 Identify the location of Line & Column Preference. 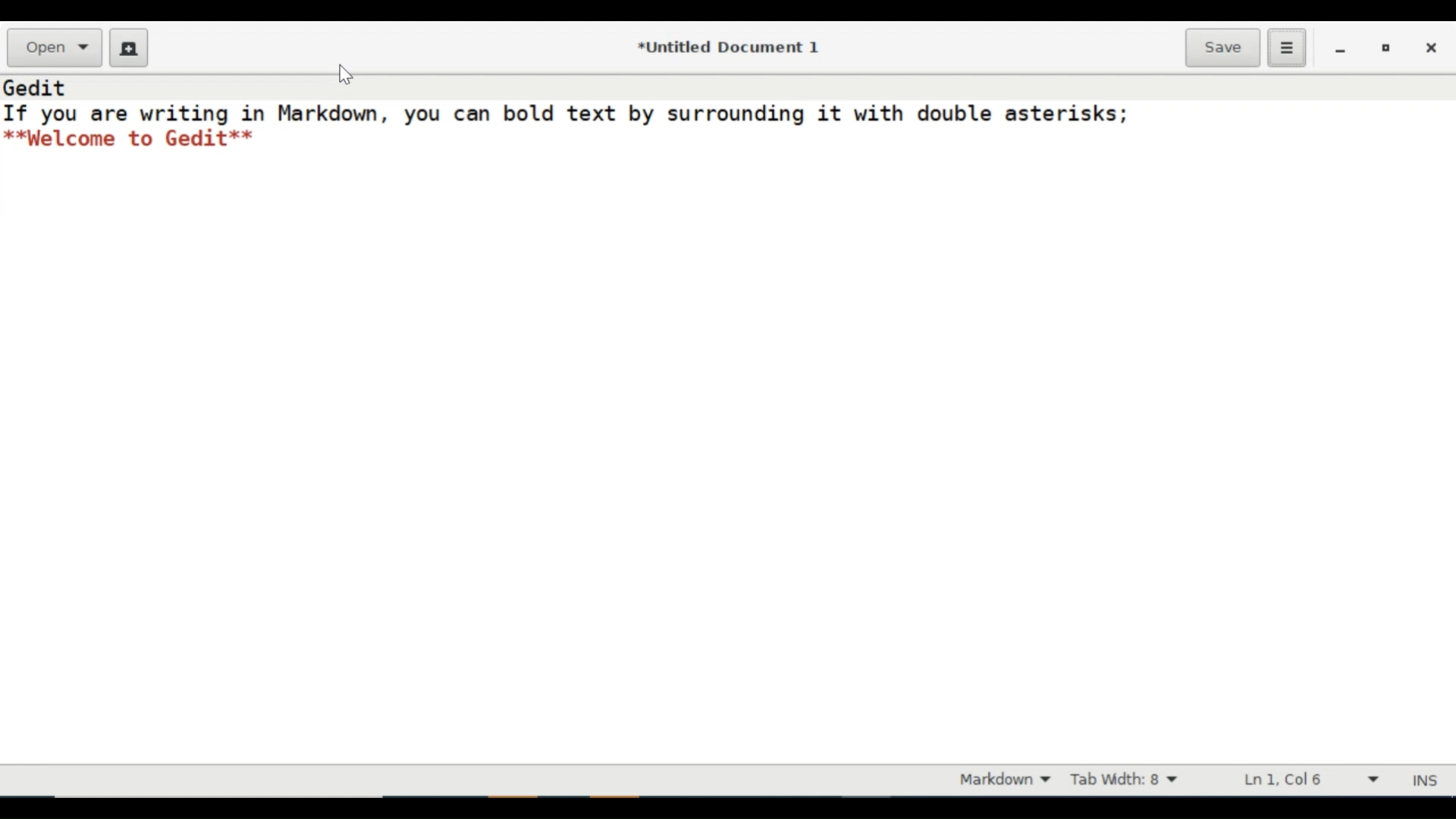
(1316, 779).